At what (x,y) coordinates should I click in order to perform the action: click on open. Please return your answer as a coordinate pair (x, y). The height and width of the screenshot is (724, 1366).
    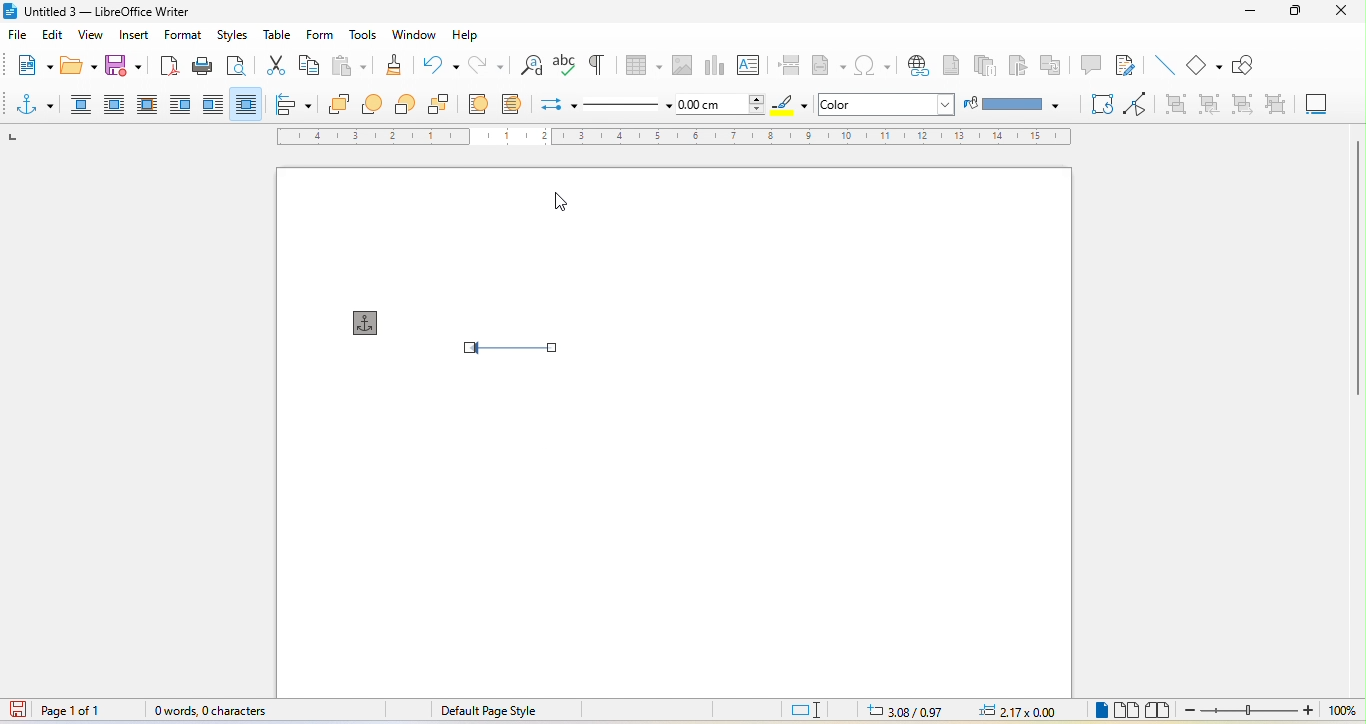
    Looking at the image, I should click on (75, 67).